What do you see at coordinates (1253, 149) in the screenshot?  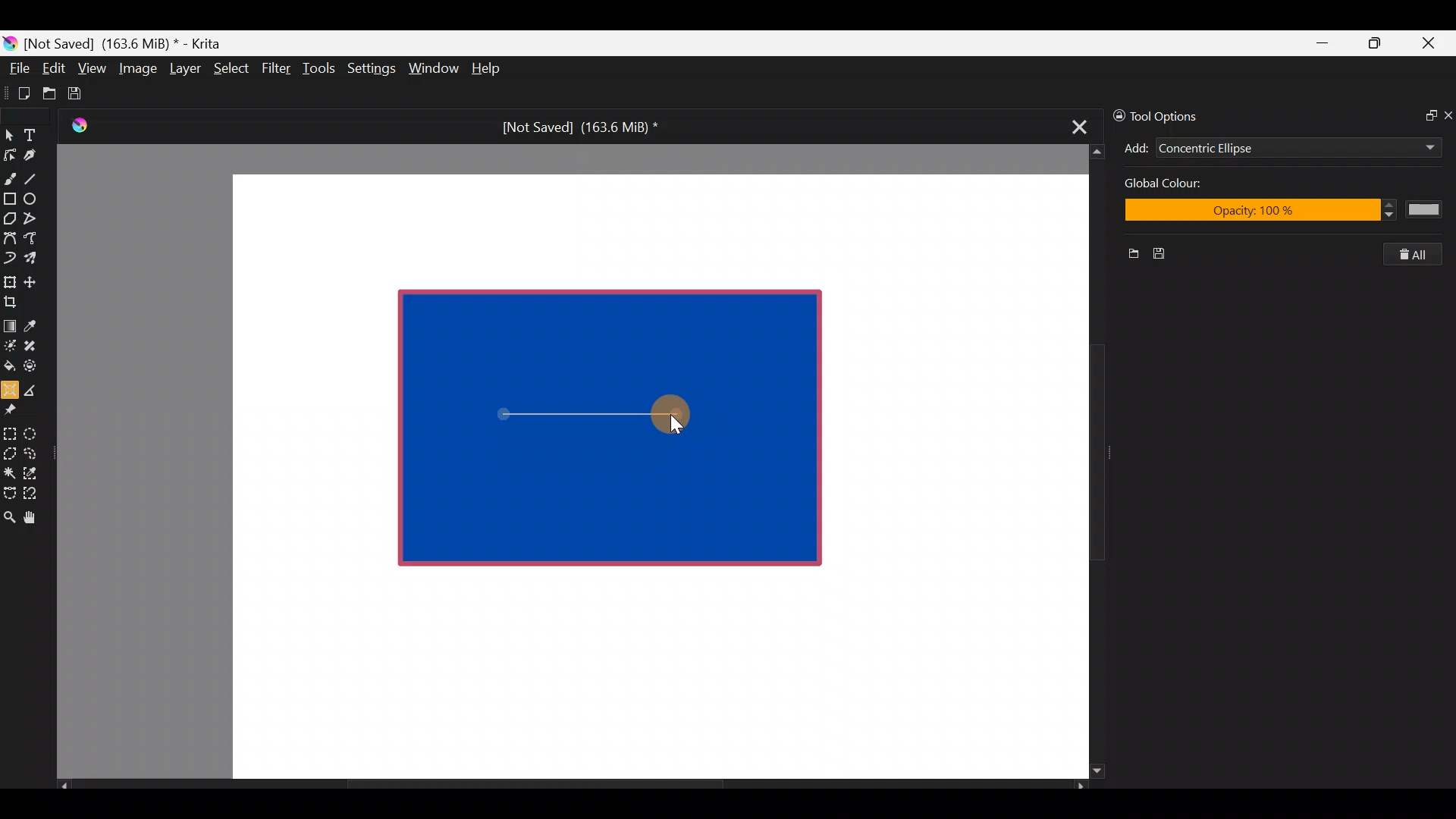 I see `Concentric Ellipse` at bounding box center [1253, 149].